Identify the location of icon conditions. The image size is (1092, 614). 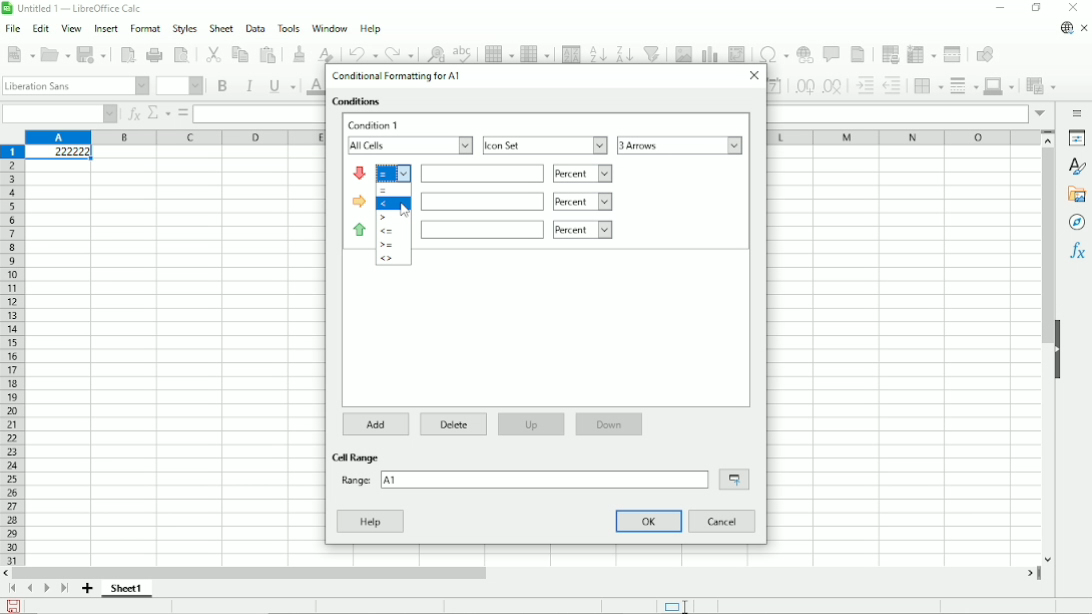
(360, 228).